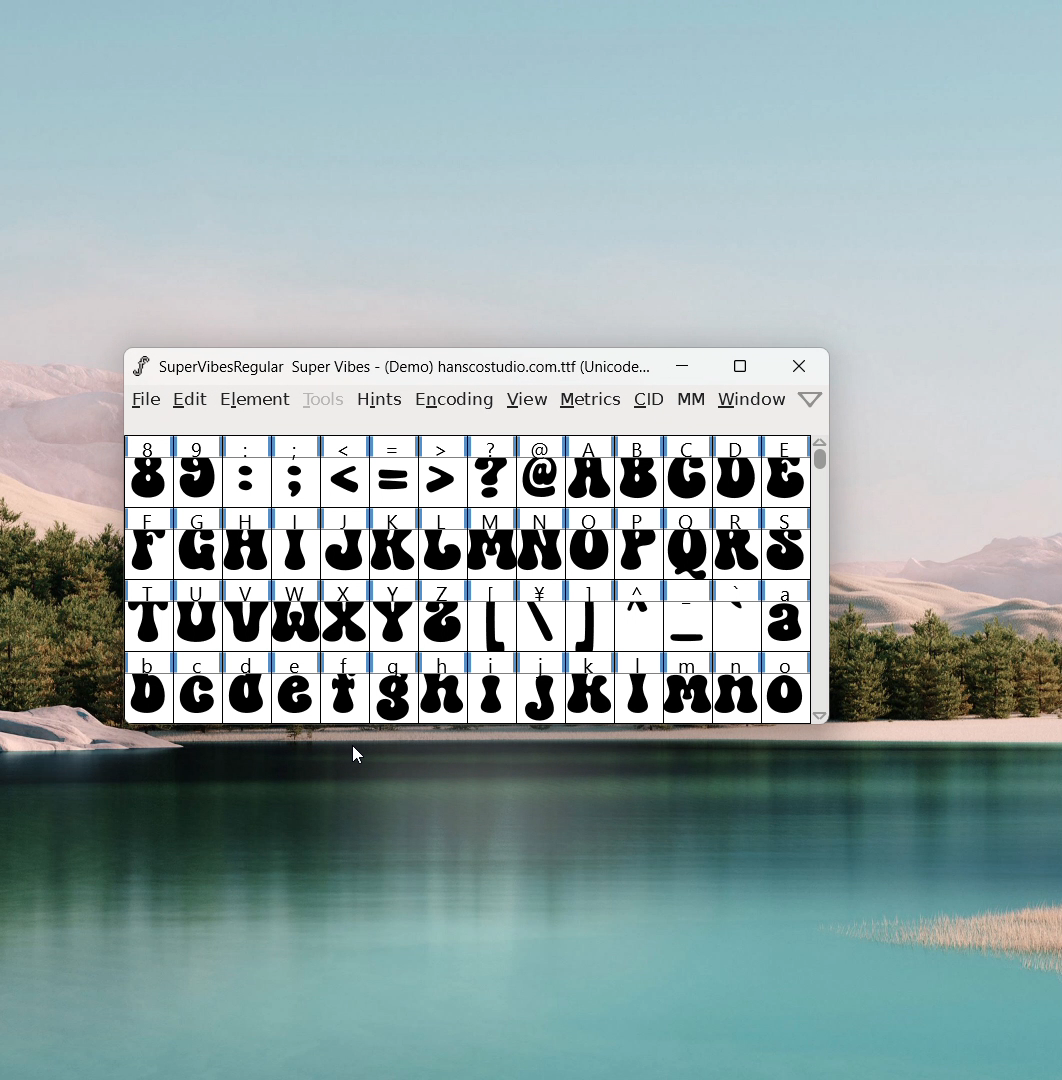 This screenshot has width=1062, height=1080. I want to click on _, so click(689, 616).